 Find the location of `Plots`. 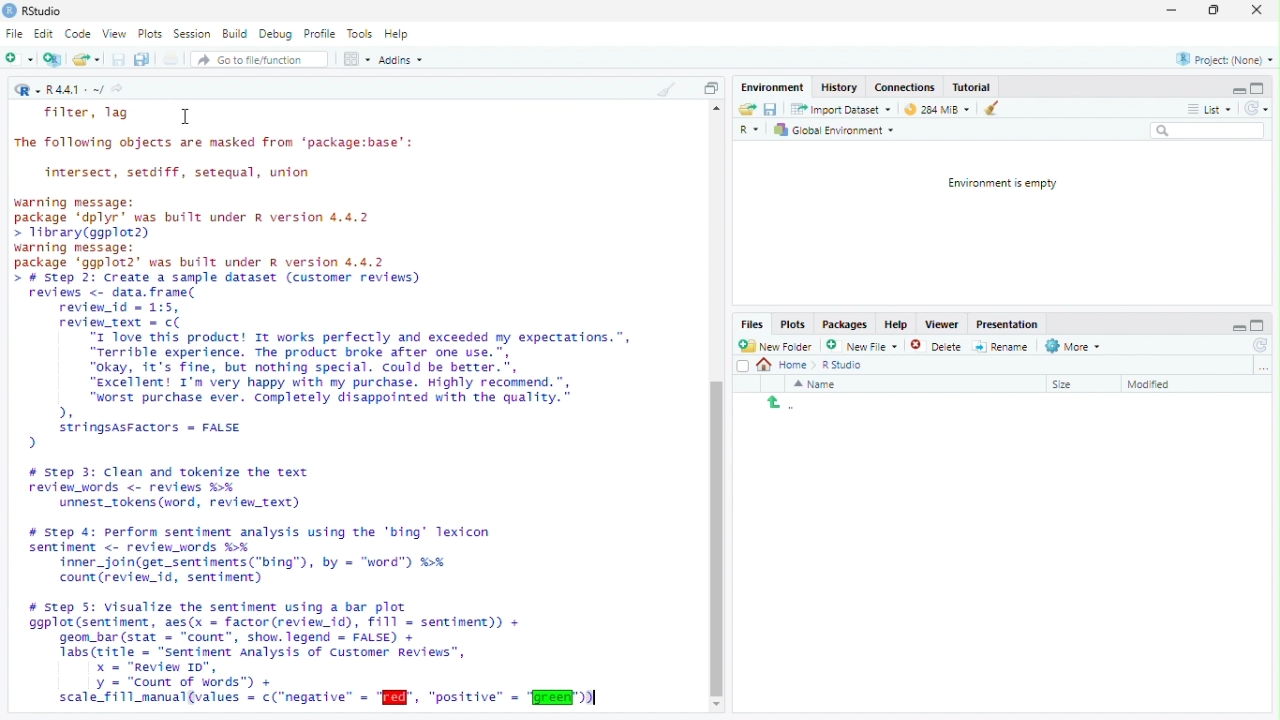

Plots is located at coordinates (794, 325).